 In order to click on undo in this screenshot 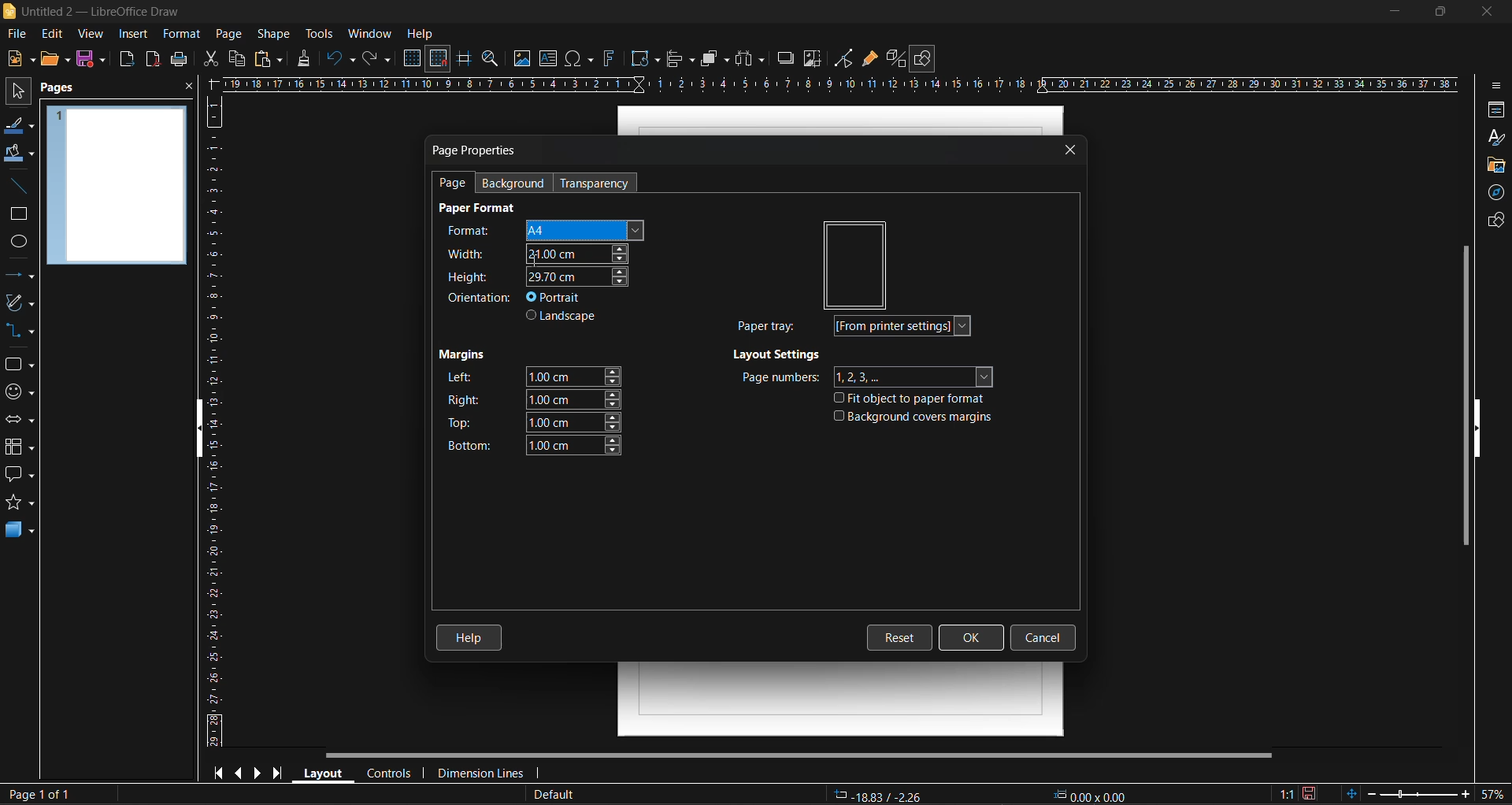, I will do `click(343, 61)`.